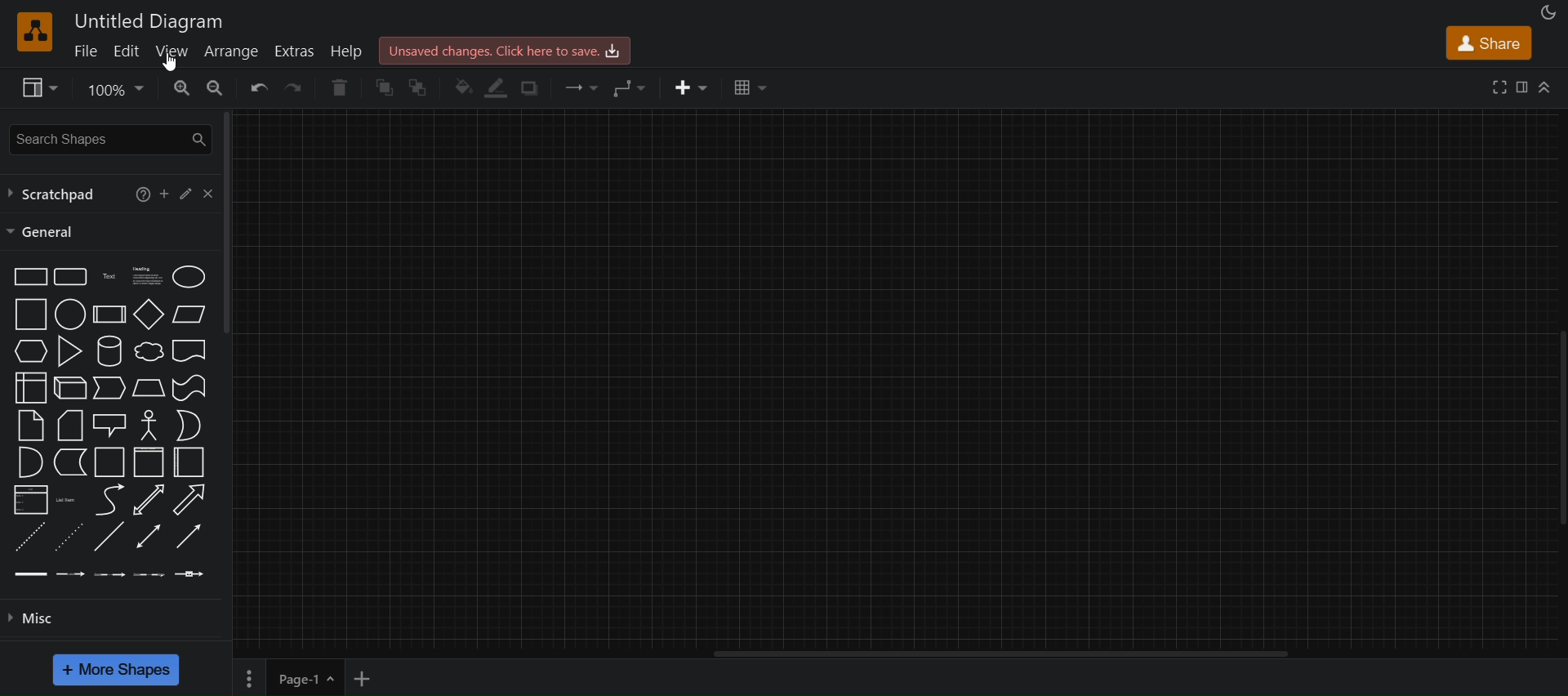  Describe the element at coordinates (38, 87) in the screenshot. I see `view` at that location.